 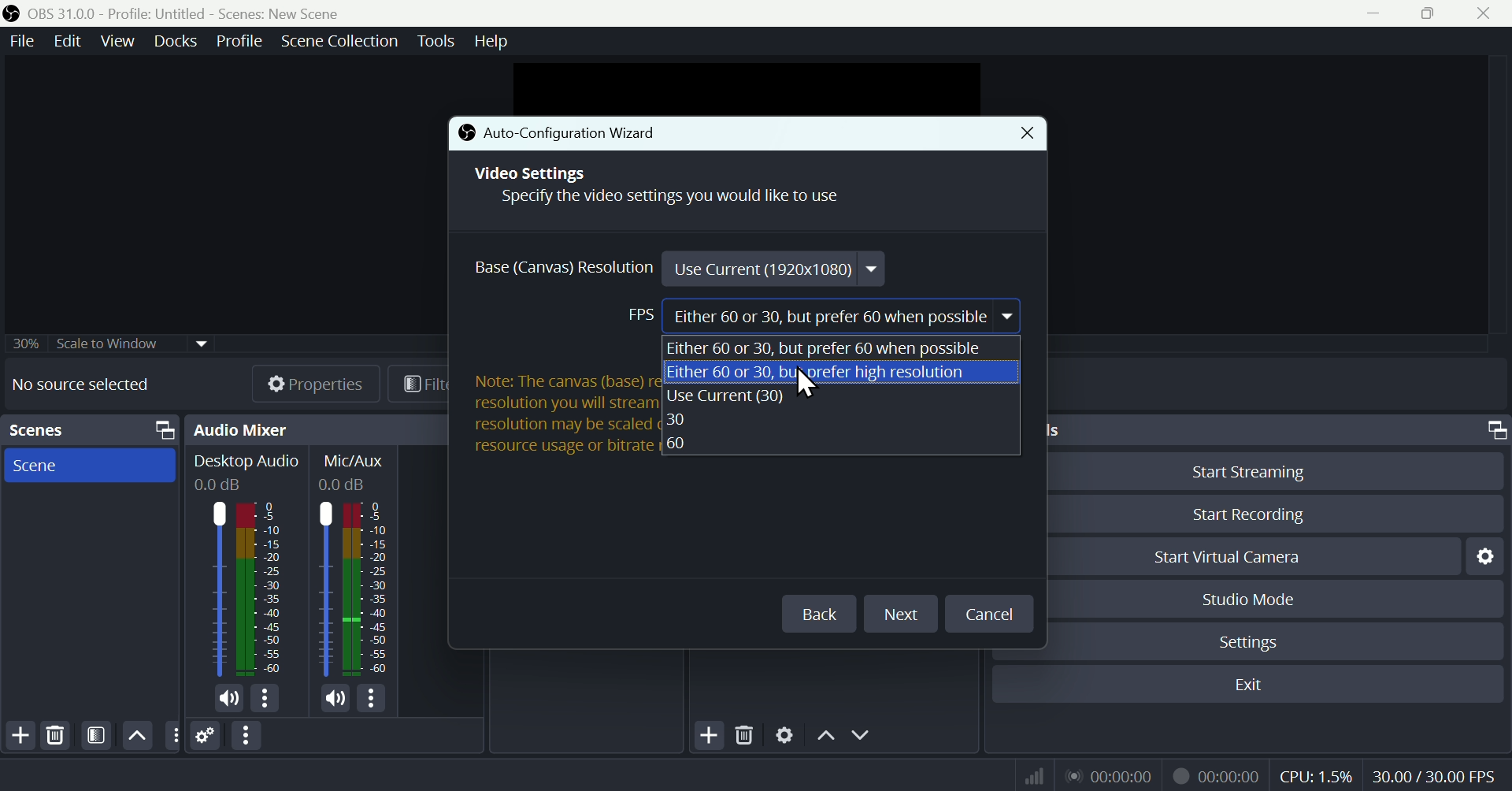 What do you see at coordinates (1369, 13) in the screenshot?
I see `minimise` at bounding box center [1369, 13].